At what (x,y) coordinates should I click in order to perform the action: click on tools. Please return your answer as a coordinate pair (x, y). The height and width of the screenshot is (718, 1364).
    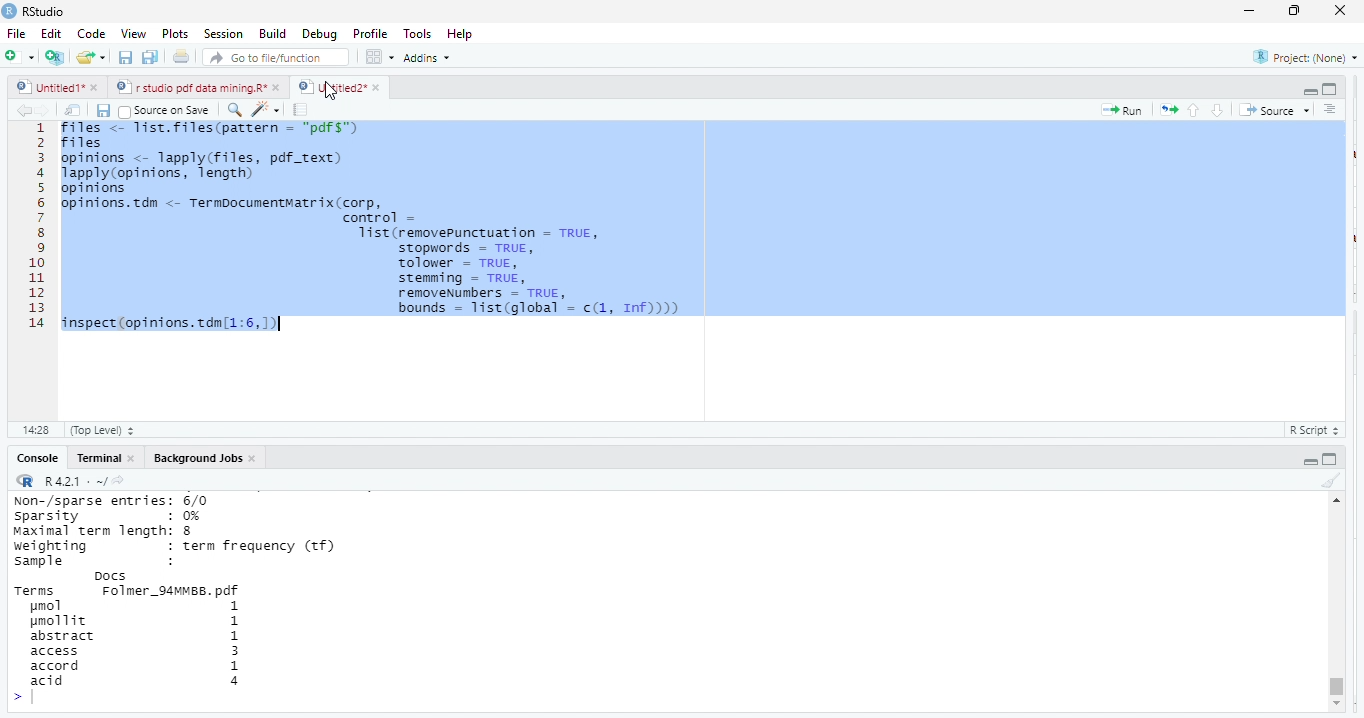
    Looking at the image, I should click on (420, 32).